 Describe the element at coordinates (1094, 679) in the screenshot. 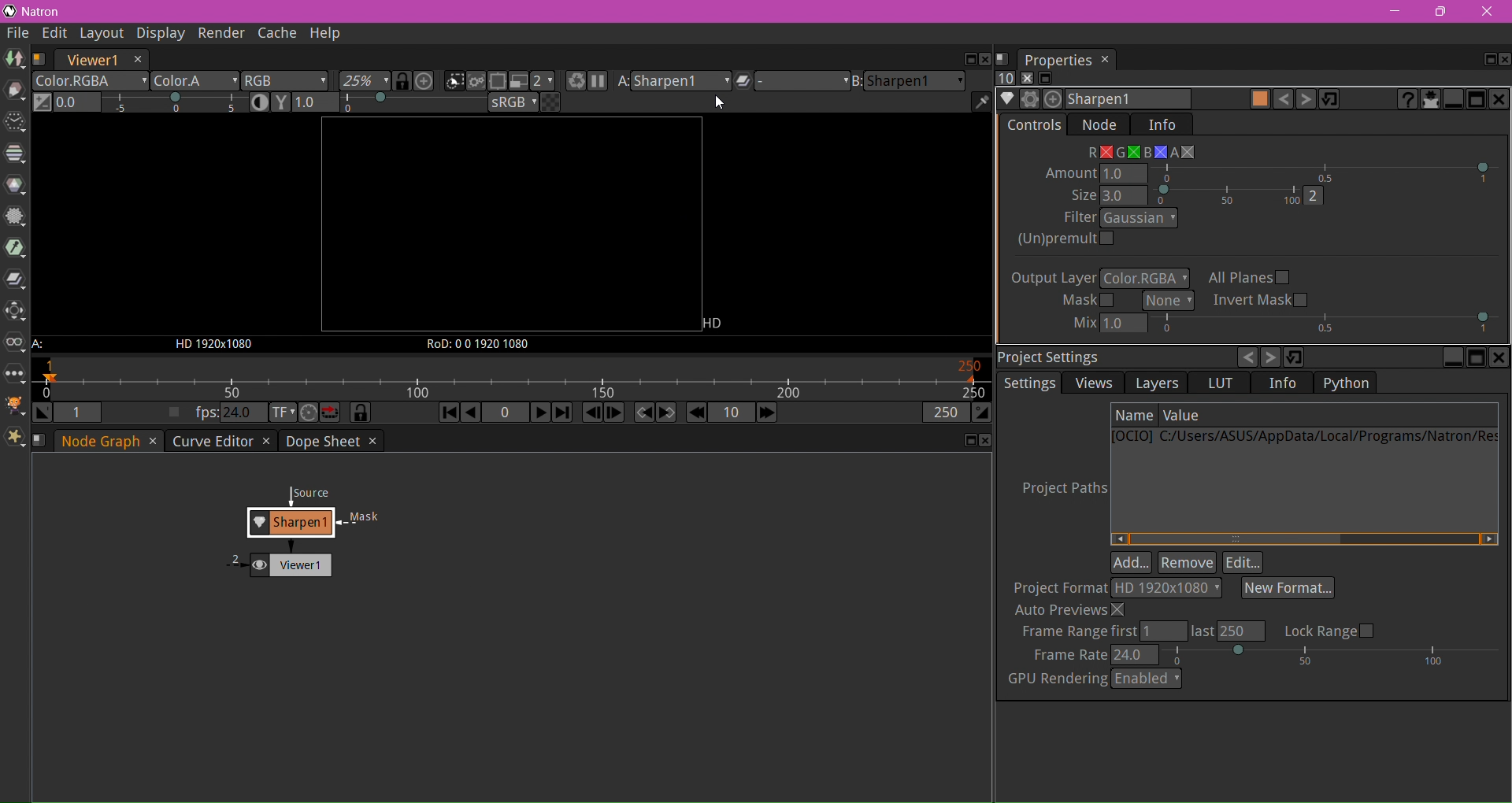

I see `GPU Rendering Enabled` at that location.